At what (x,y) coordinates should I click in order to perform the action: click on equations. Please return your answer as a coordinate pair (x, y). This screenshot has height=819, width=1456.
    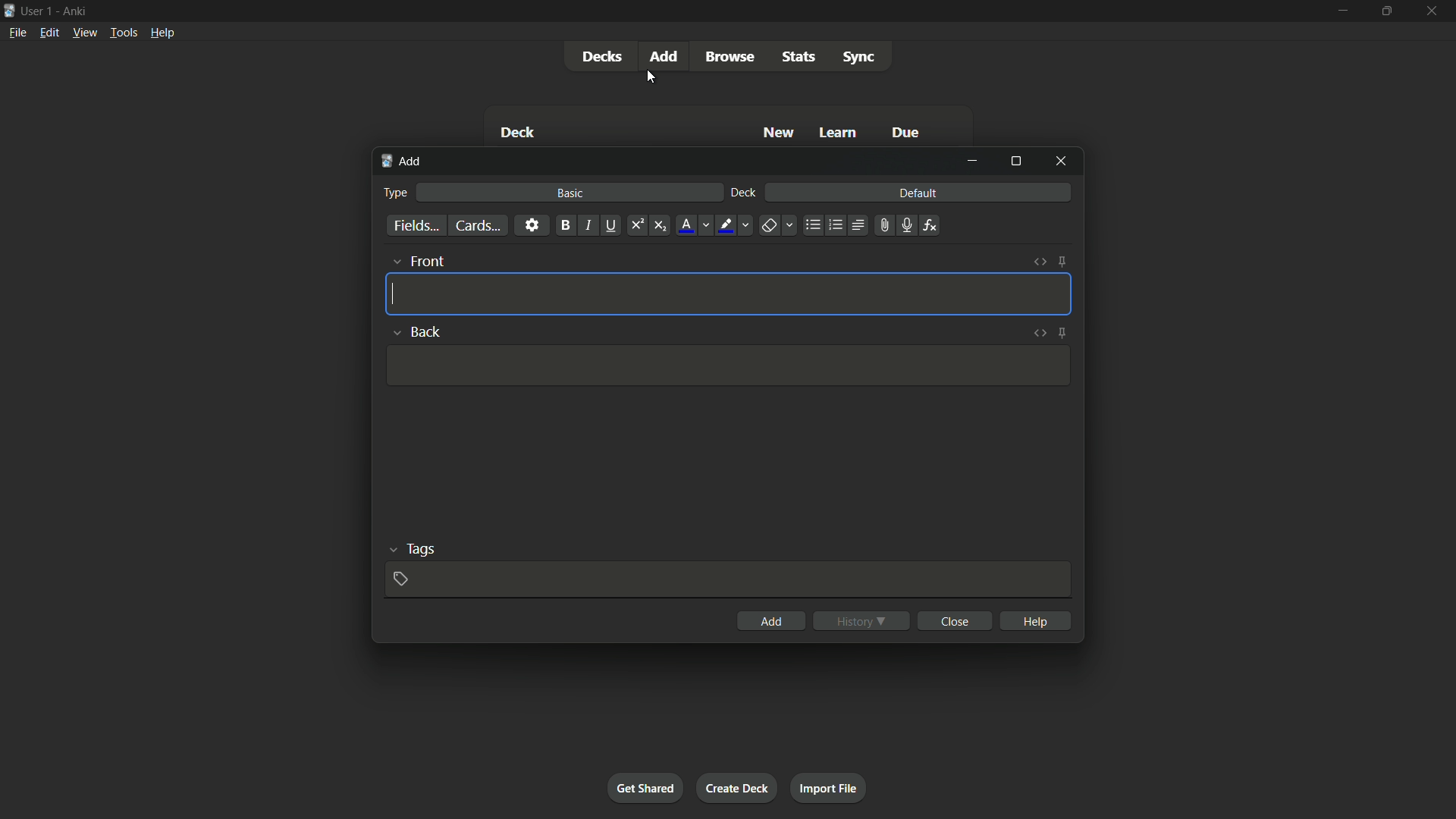
    Looking at the image, I should click on (930, 225).